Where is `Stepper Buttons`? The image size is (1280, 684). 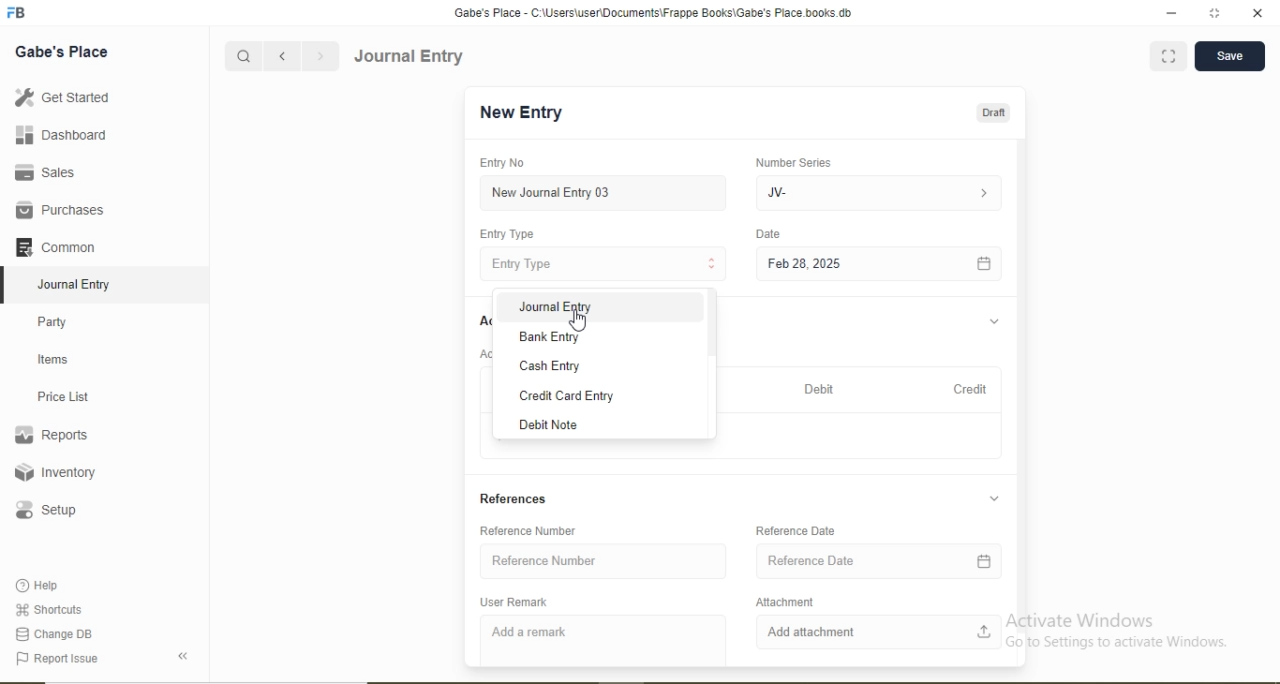 Stepper Buttons is located at coordinates (712, 264).